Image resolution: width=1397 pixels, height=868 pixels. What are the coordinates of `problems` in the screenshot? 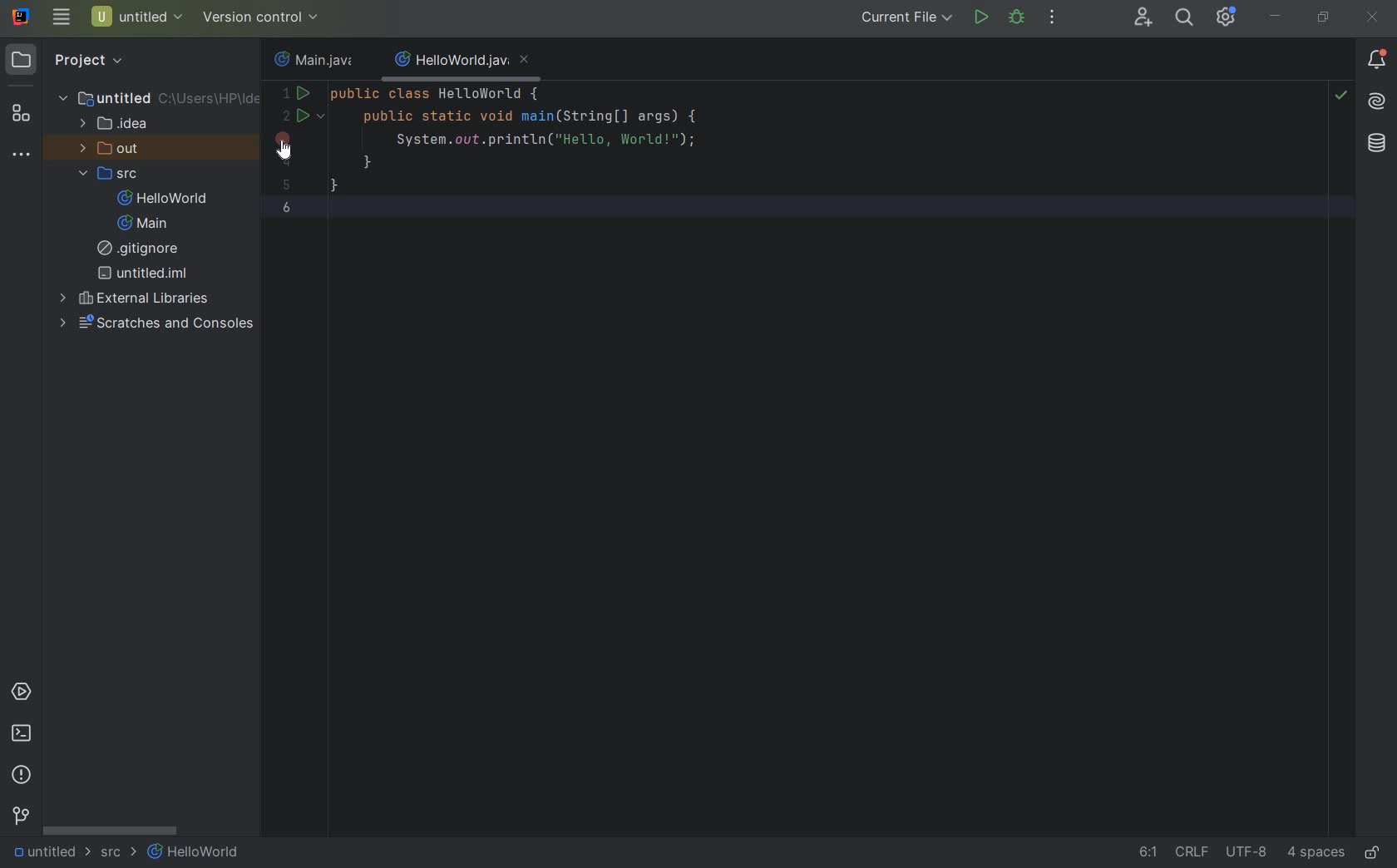 It's located at (22, 775).